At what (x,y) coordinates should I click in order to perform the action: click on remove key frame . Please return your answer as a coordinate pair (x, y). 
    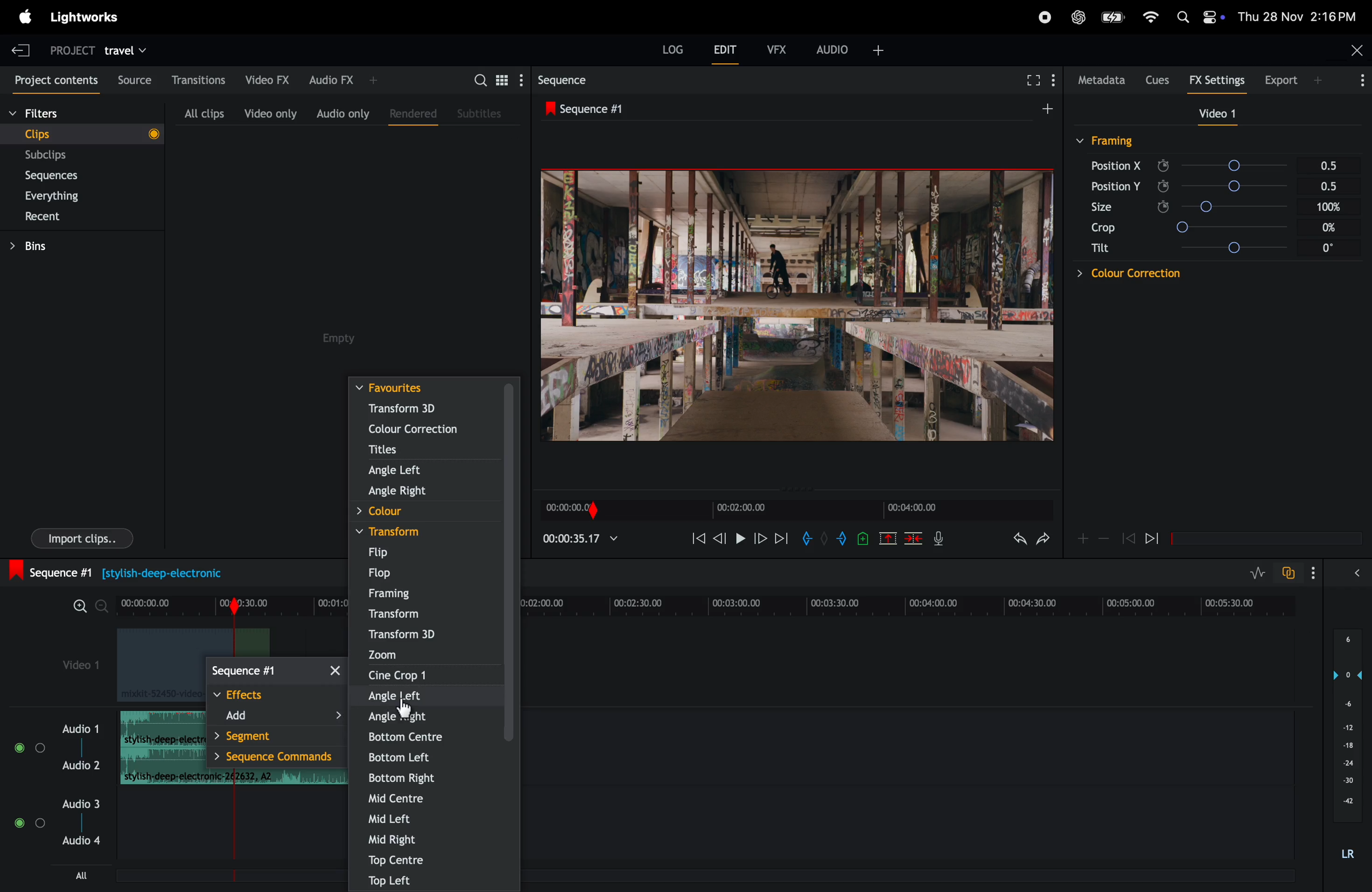
    Looking at the image, I should click on (1104, 538).